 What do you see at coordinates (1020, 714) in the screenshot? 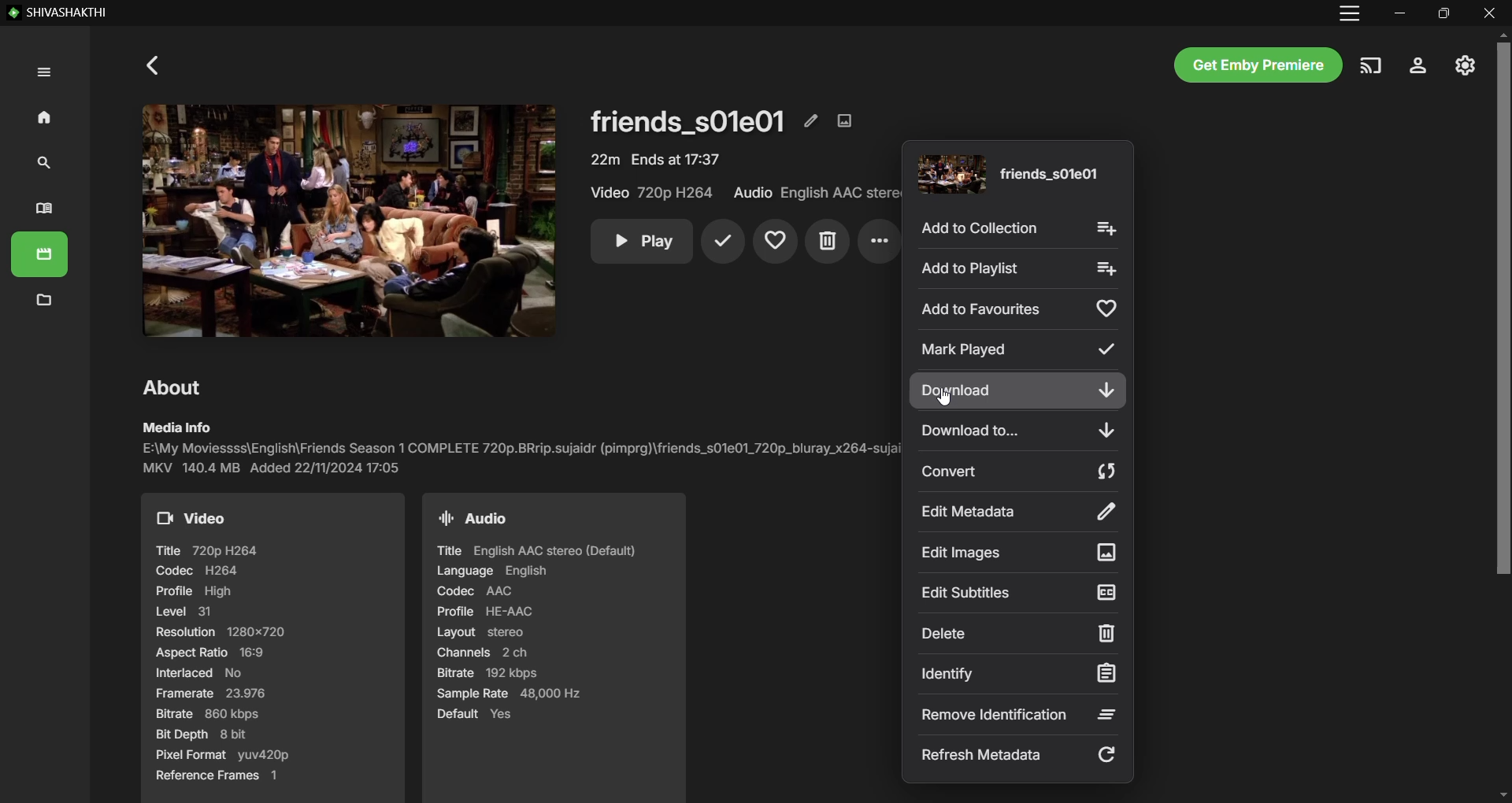
I see `Remove Identification` at bounding box center [1020, 714].